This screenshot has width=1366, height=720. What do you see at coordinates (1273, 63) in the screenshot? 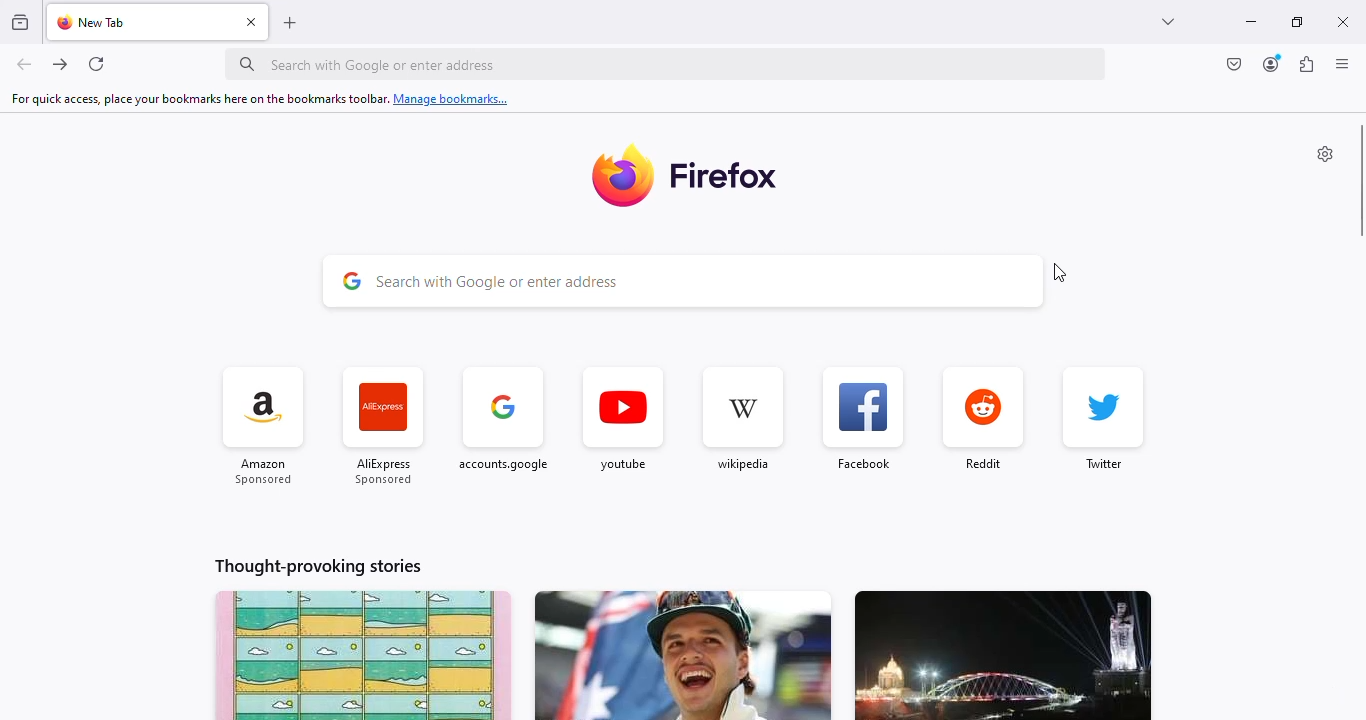
I see `account` at bounding box center [1273, 63].